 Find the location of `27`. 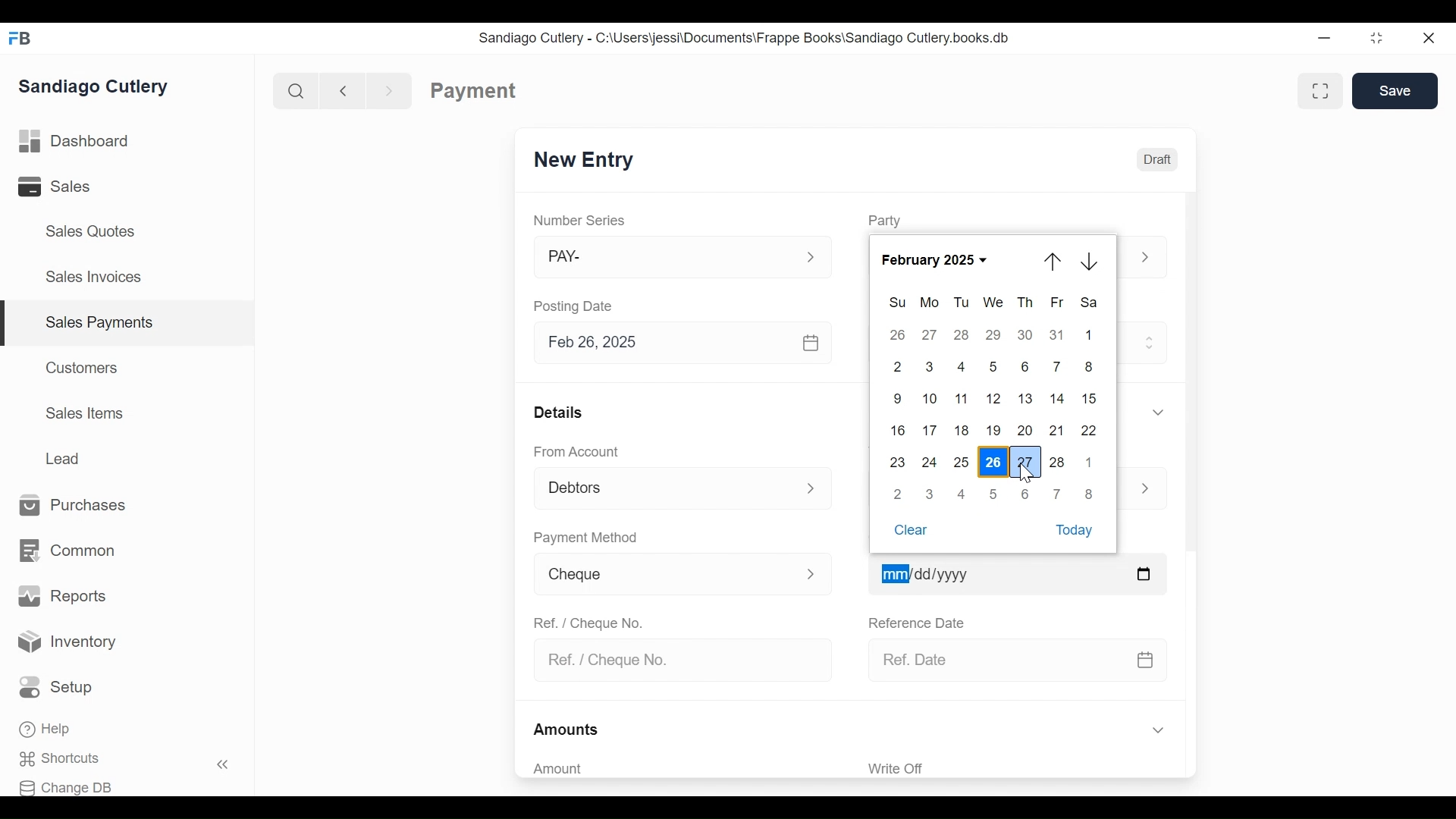

27 is located at coordinates (929, 336).